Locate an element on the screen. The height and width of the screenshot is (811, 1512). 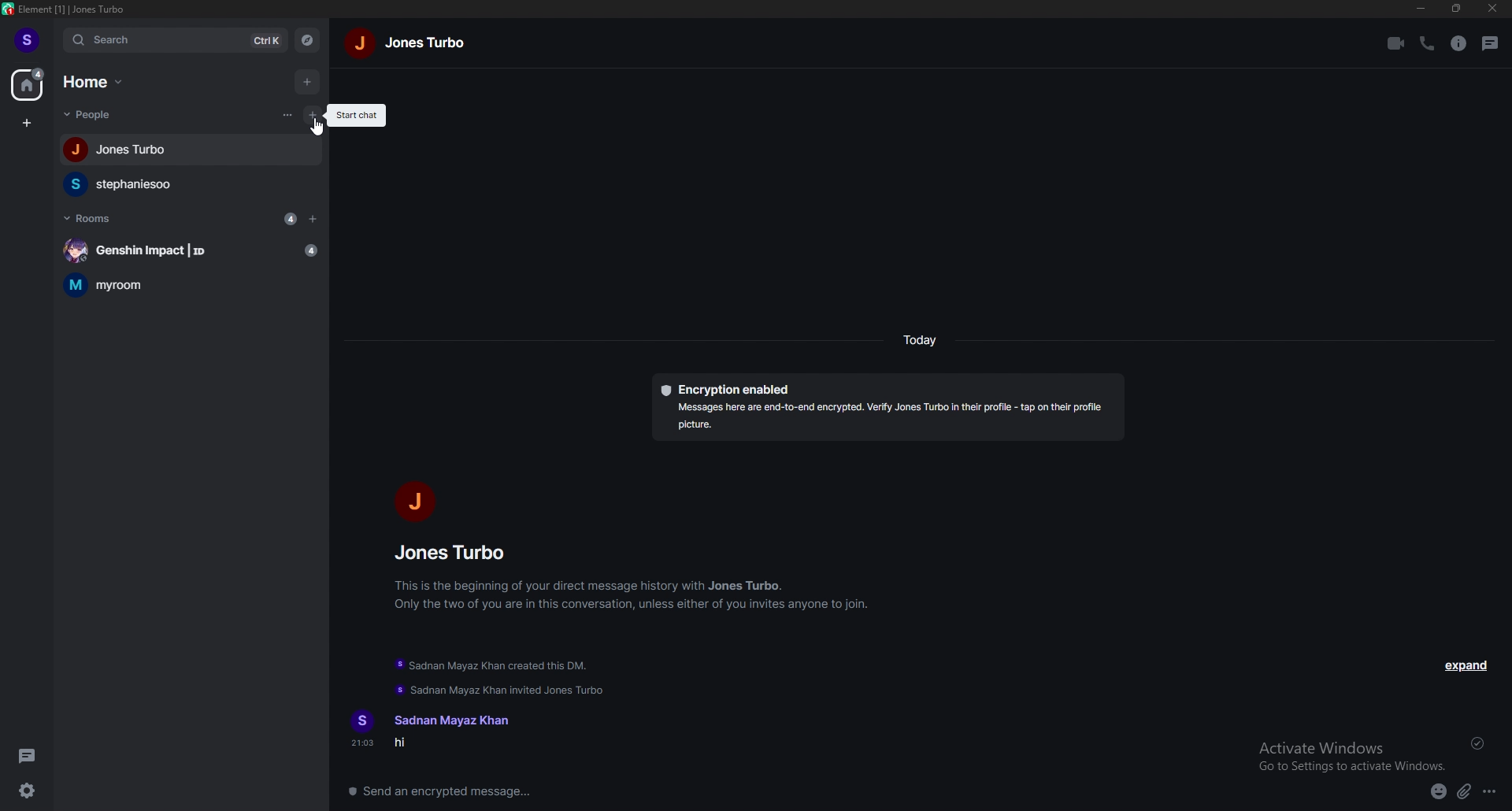
element [1] | Jones Turbo is located at coordinates (65, 9).